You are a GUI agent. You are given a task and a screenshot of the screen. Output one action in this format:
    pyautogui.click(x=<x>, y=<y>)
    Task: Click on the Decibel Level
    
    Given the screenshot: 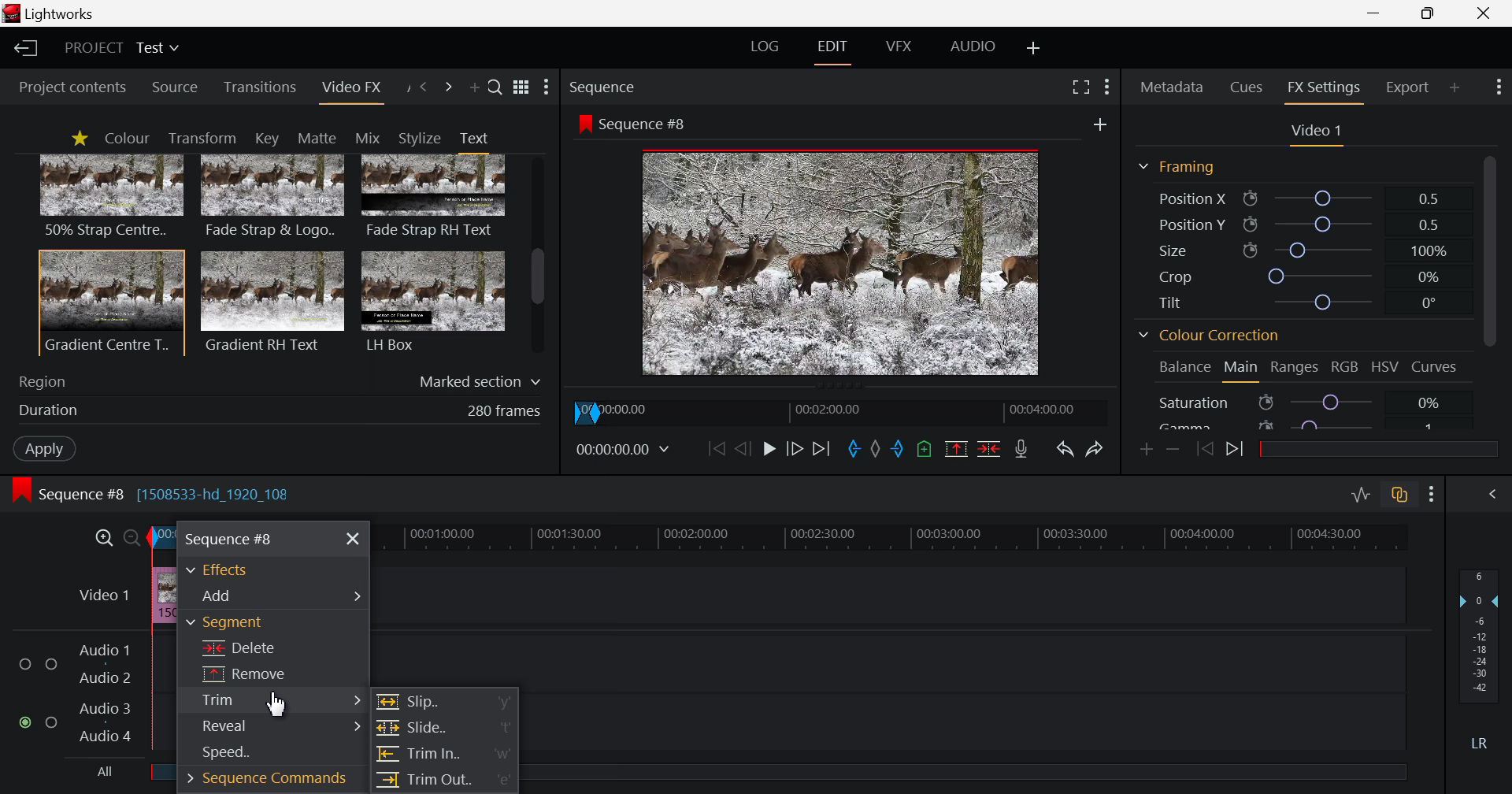 What is the action you would take?
    pyautogui.click(x=1480, y=662)
    